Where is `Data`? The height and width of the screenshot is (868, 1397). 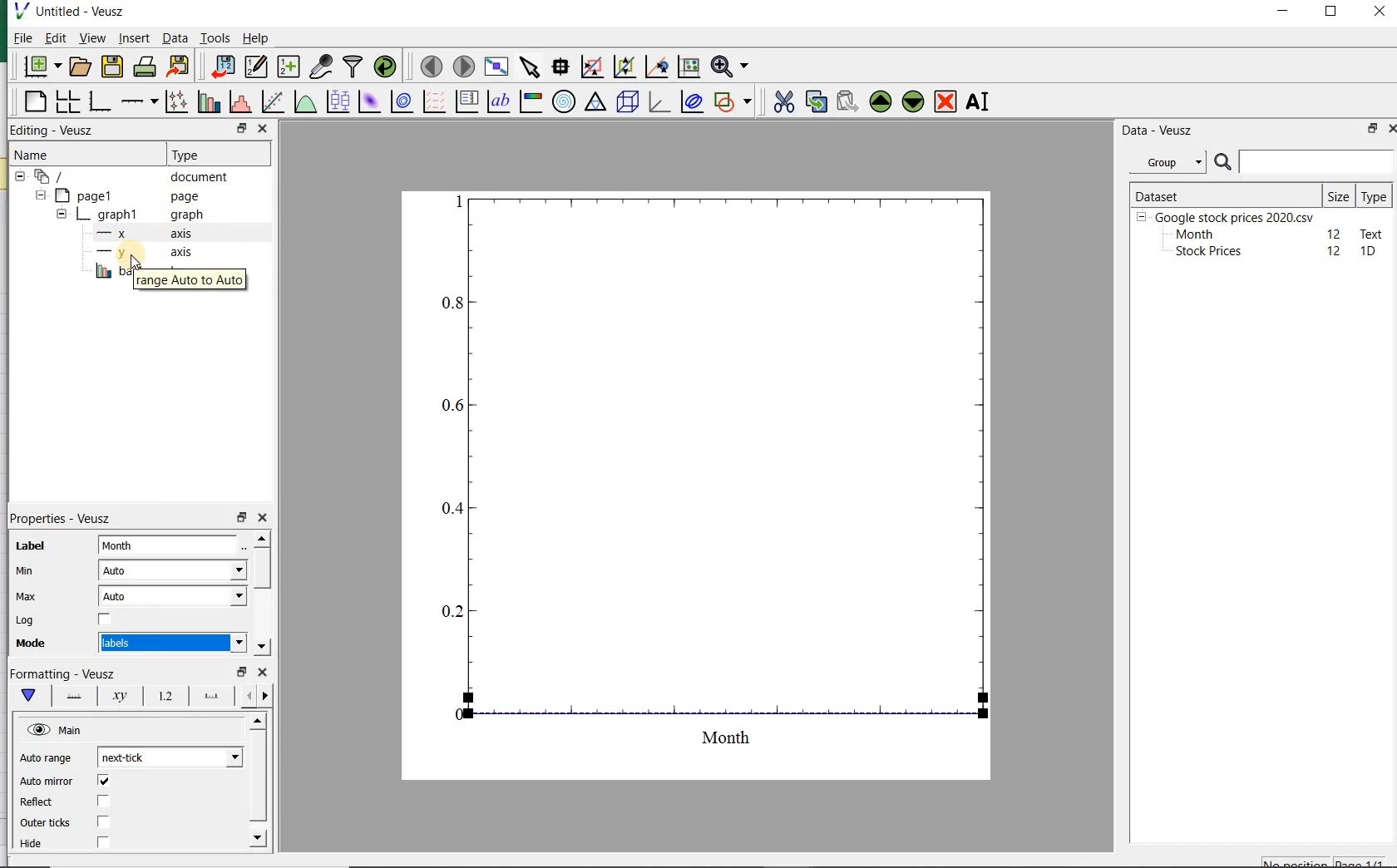
Data is located at coordinates (175, 40).